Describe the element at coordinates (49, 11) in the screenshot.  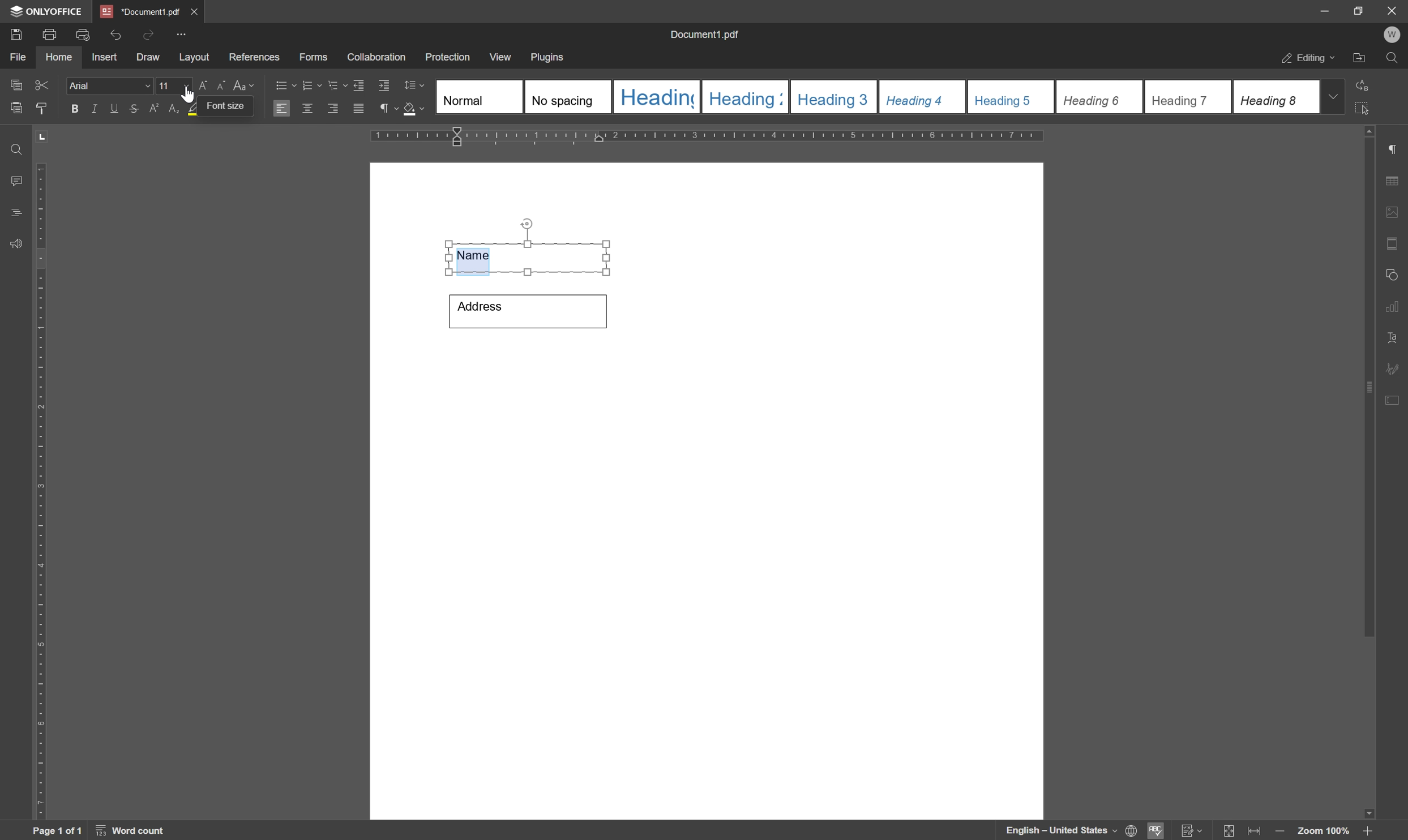
I see `onlyoffice` at that location.